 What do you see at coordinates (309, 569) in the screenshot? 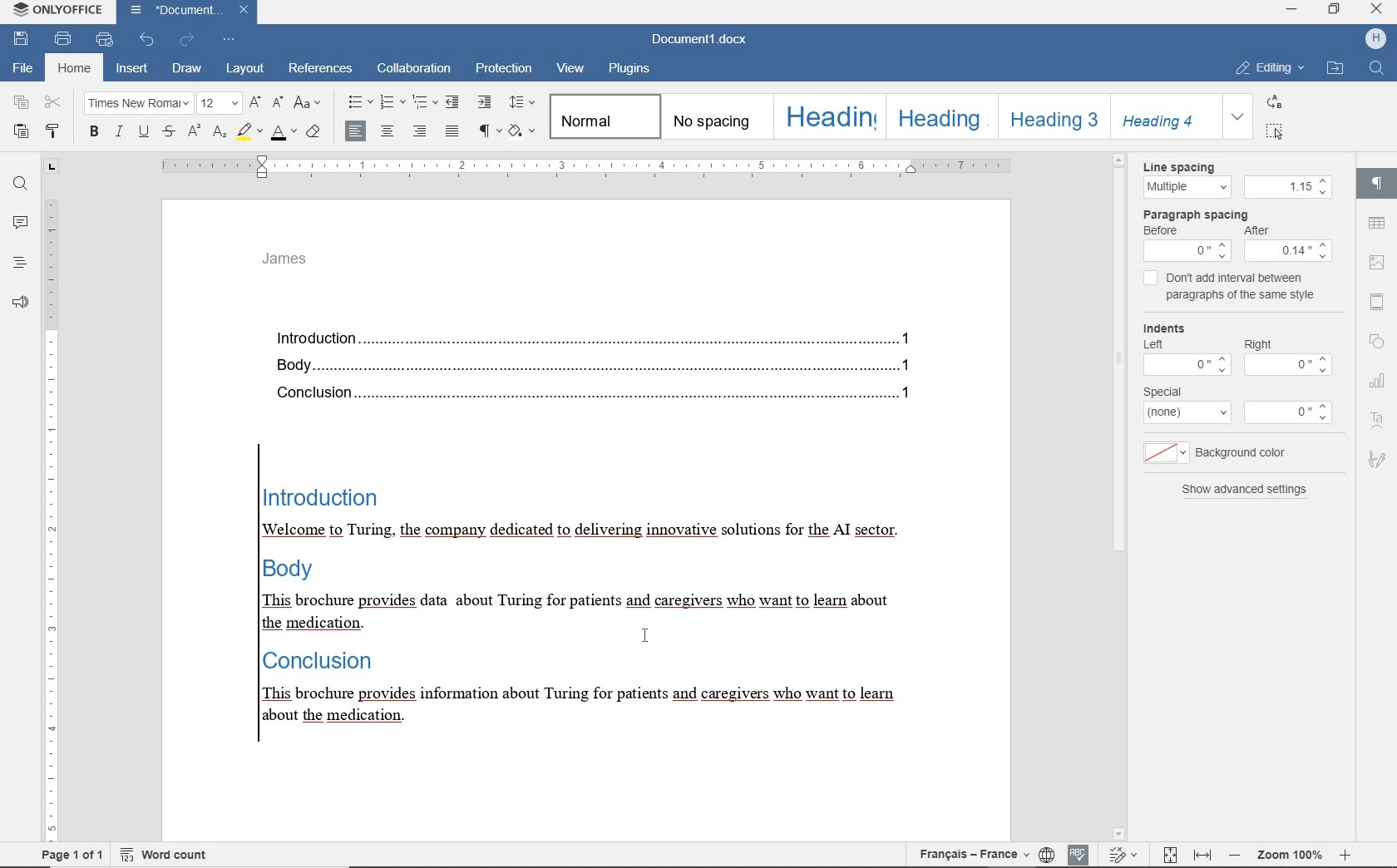
I see `Body` at bounding box center [309, 569].